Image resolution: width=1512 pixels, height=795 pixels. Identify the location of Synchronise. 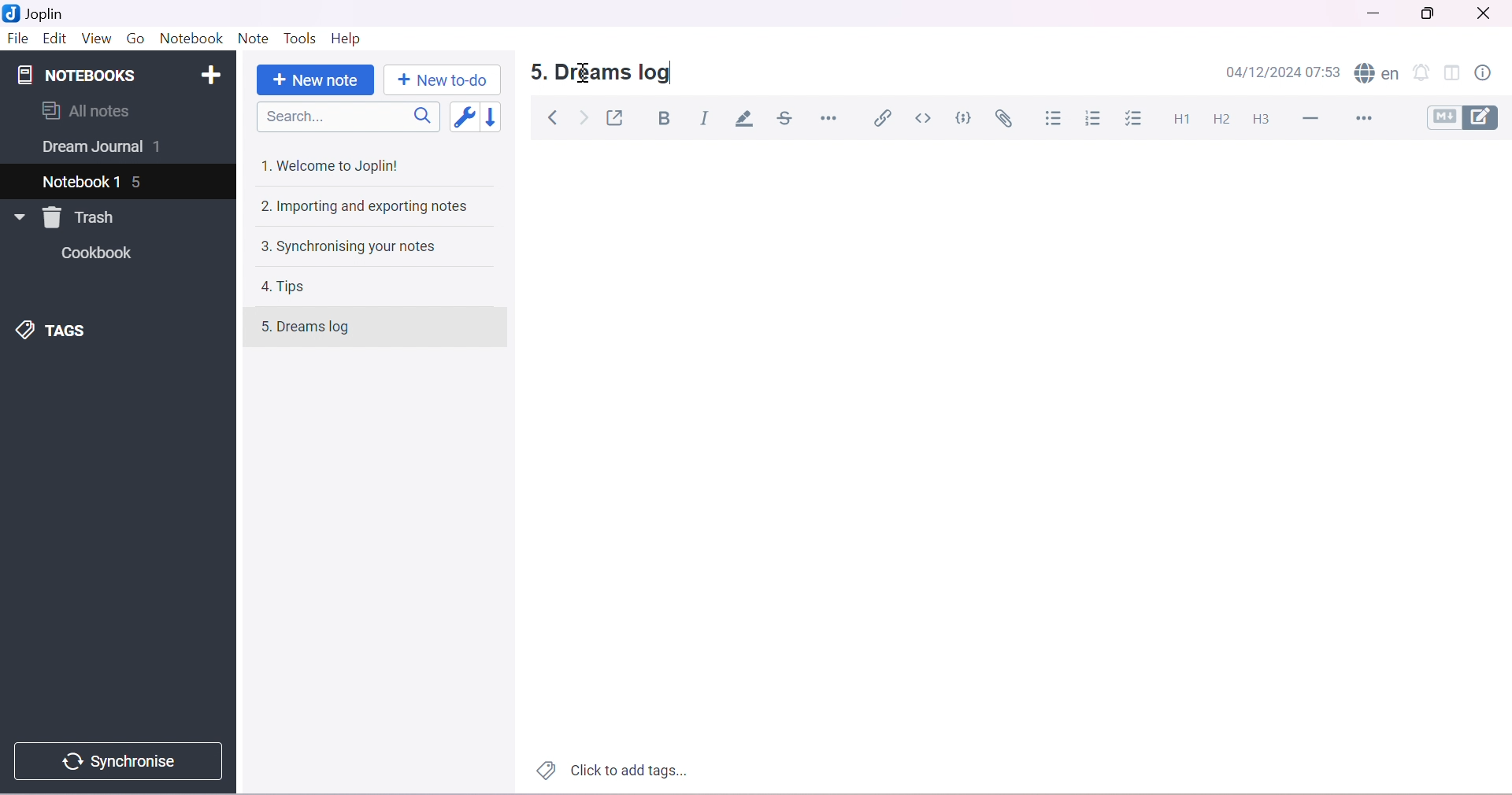
(124, 761).